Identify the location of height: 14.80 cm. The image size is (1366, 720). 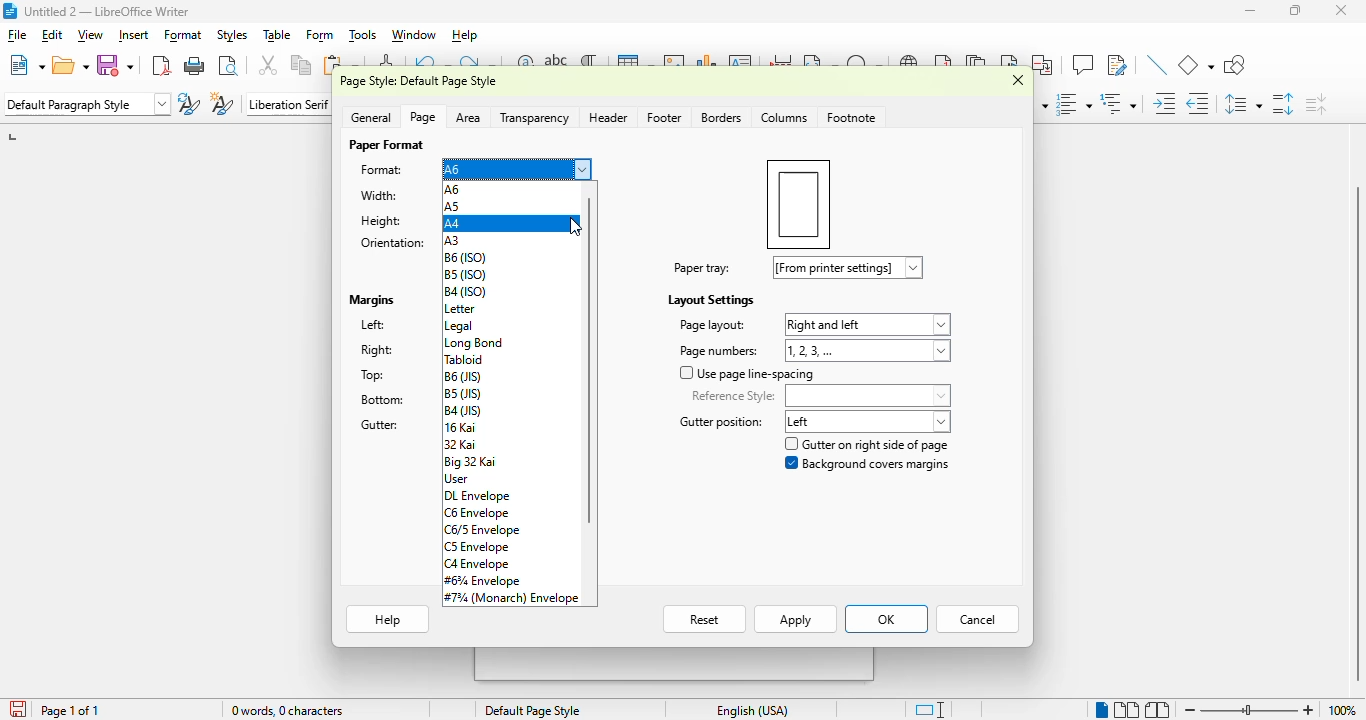
(385, 220).